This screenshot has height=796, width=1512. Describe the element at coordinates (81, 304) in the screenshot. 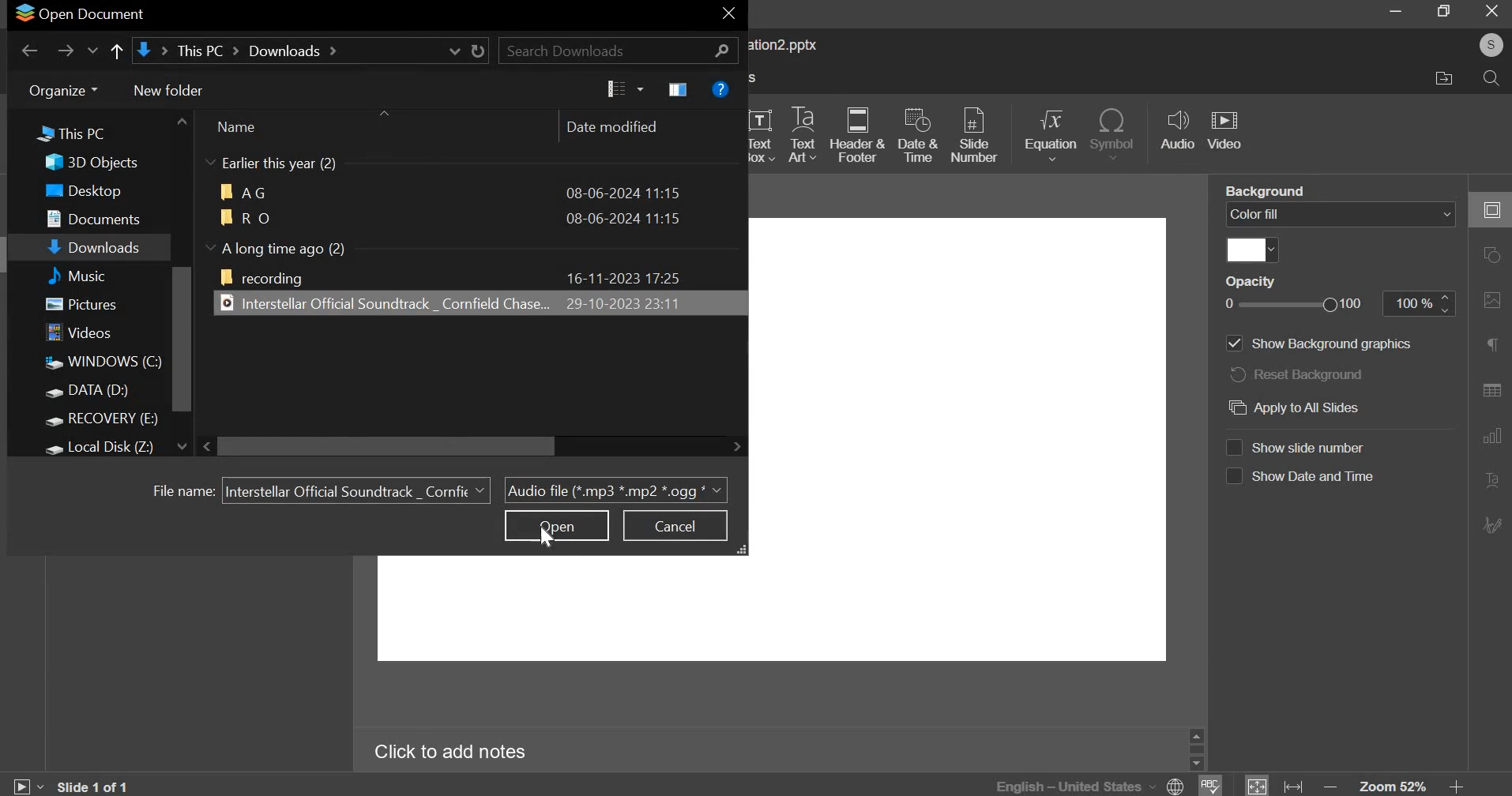

I see `Pictures` at that location.